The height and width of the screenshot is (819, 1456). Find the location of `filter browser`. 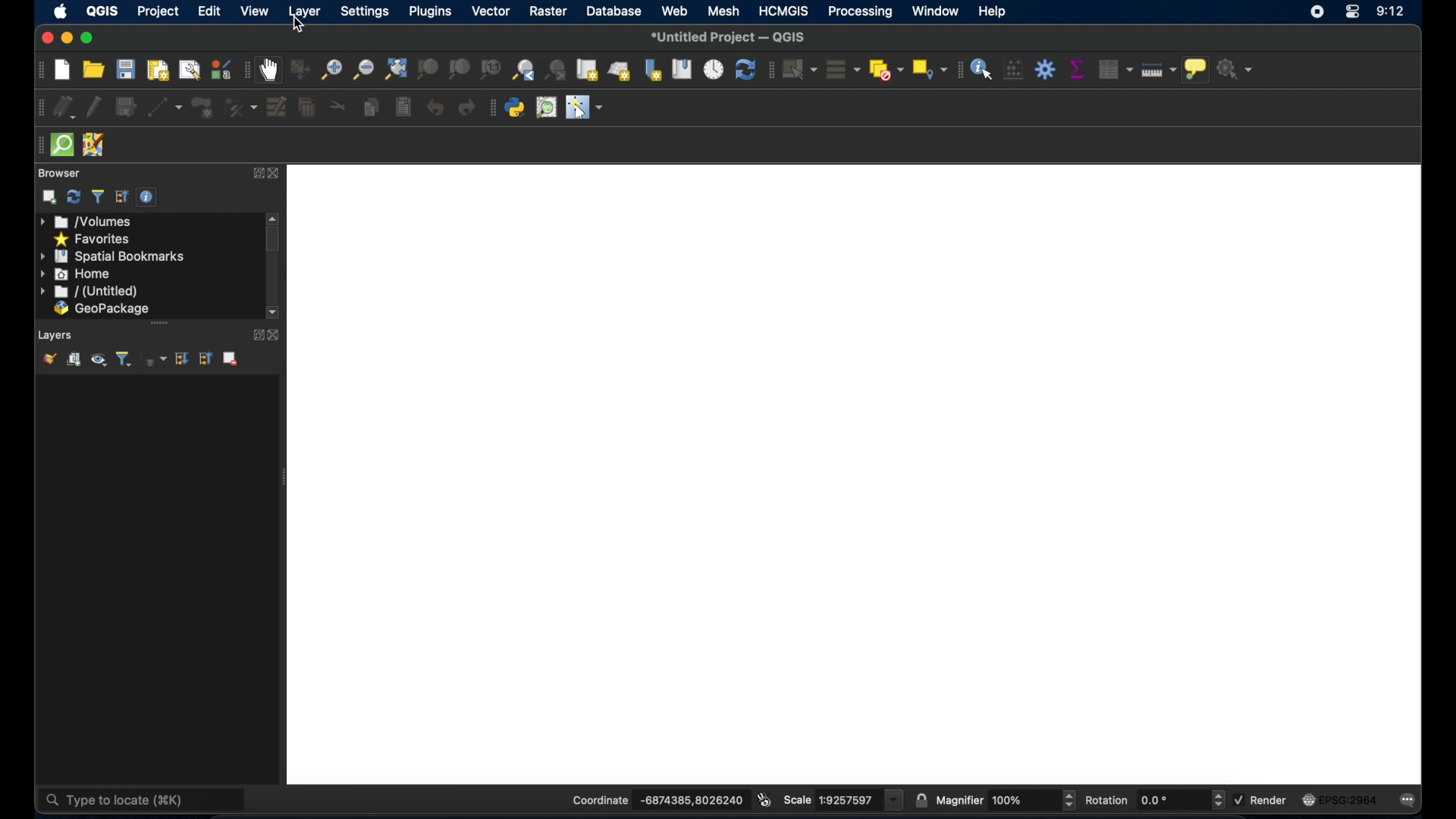

filter browser is located at coordinates (97, 196).